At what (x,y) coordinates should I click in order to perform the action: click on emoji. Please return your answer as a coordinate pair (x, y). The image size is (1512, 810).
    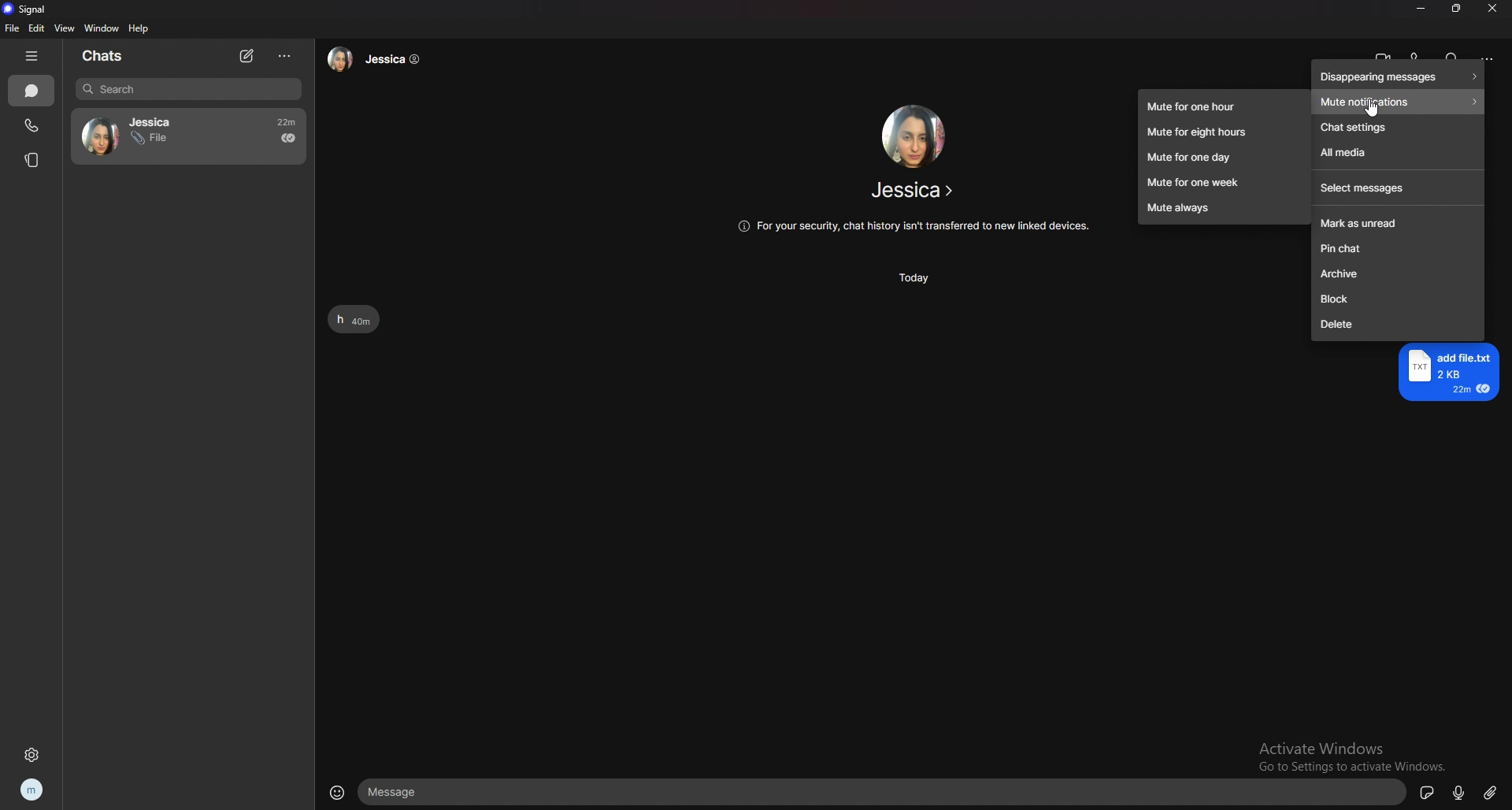
    Looking at the image, I should click on (339, 792).